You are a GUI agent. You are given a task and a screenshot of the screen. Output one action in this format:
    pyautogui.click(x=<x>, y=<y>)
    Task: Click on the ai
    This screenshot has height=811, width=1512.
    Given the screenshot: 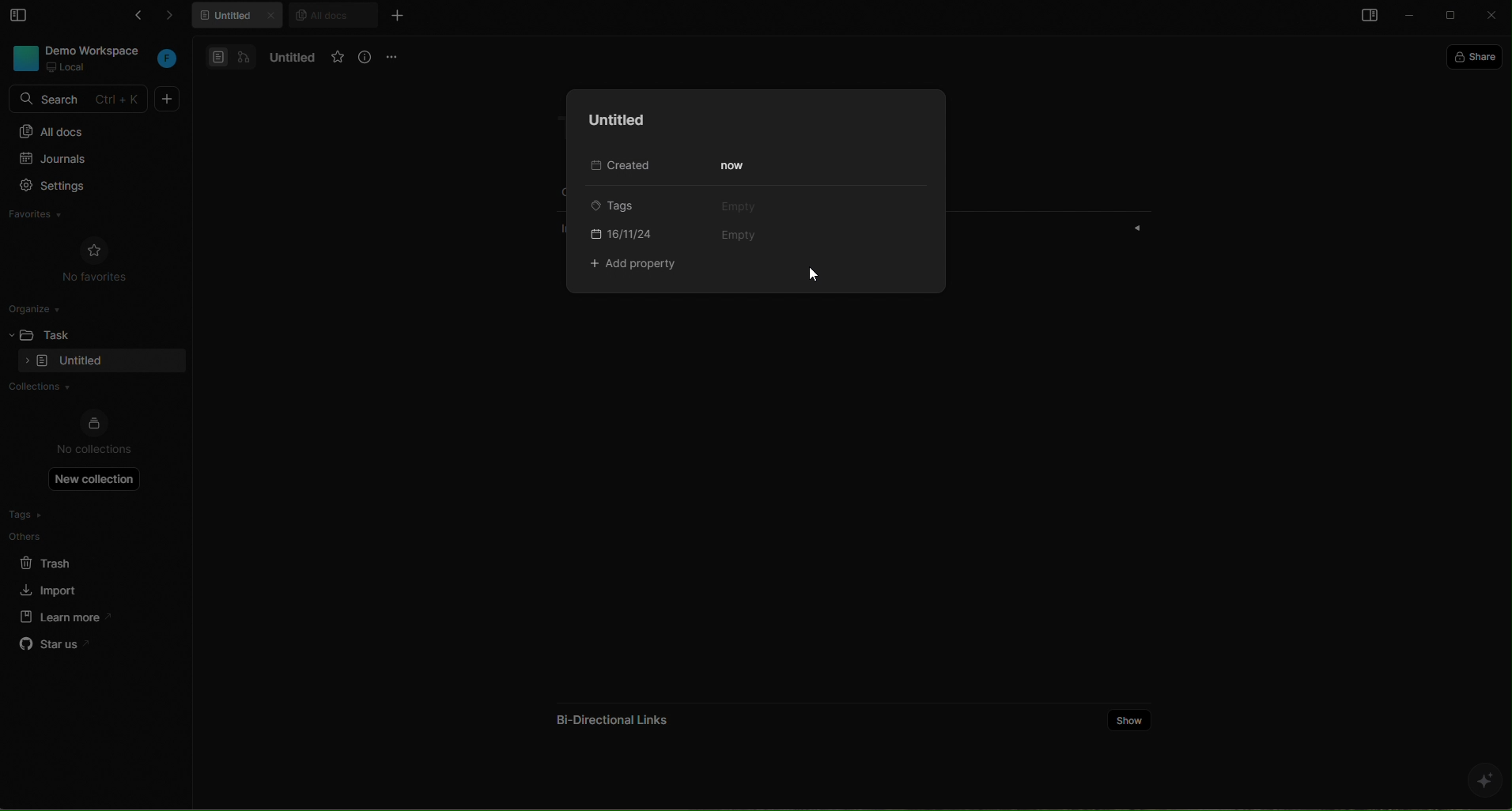 What is the action you would take?
    pyautogui.click(x=1484, y=780)
    